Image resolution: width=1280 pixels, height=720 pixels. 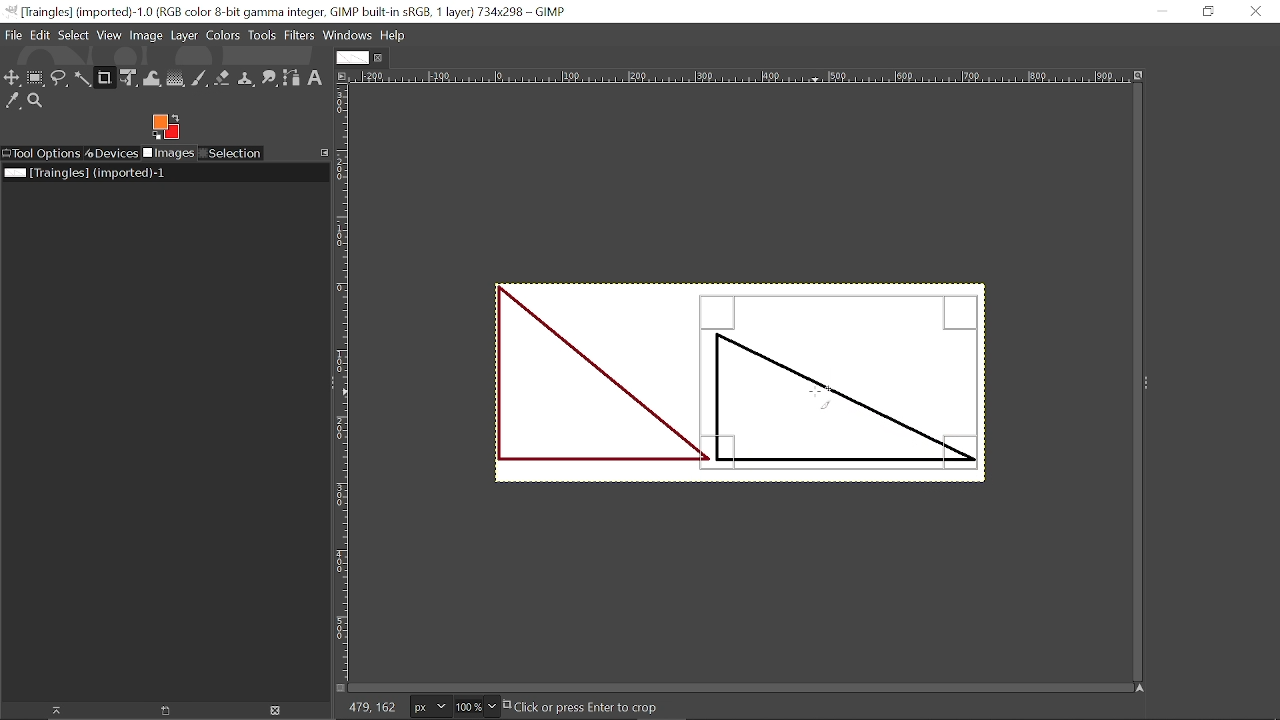 What do you see at coordinates (41, 154) in the screenshot?
I see `Tool options` at bounding box center [41, 154].